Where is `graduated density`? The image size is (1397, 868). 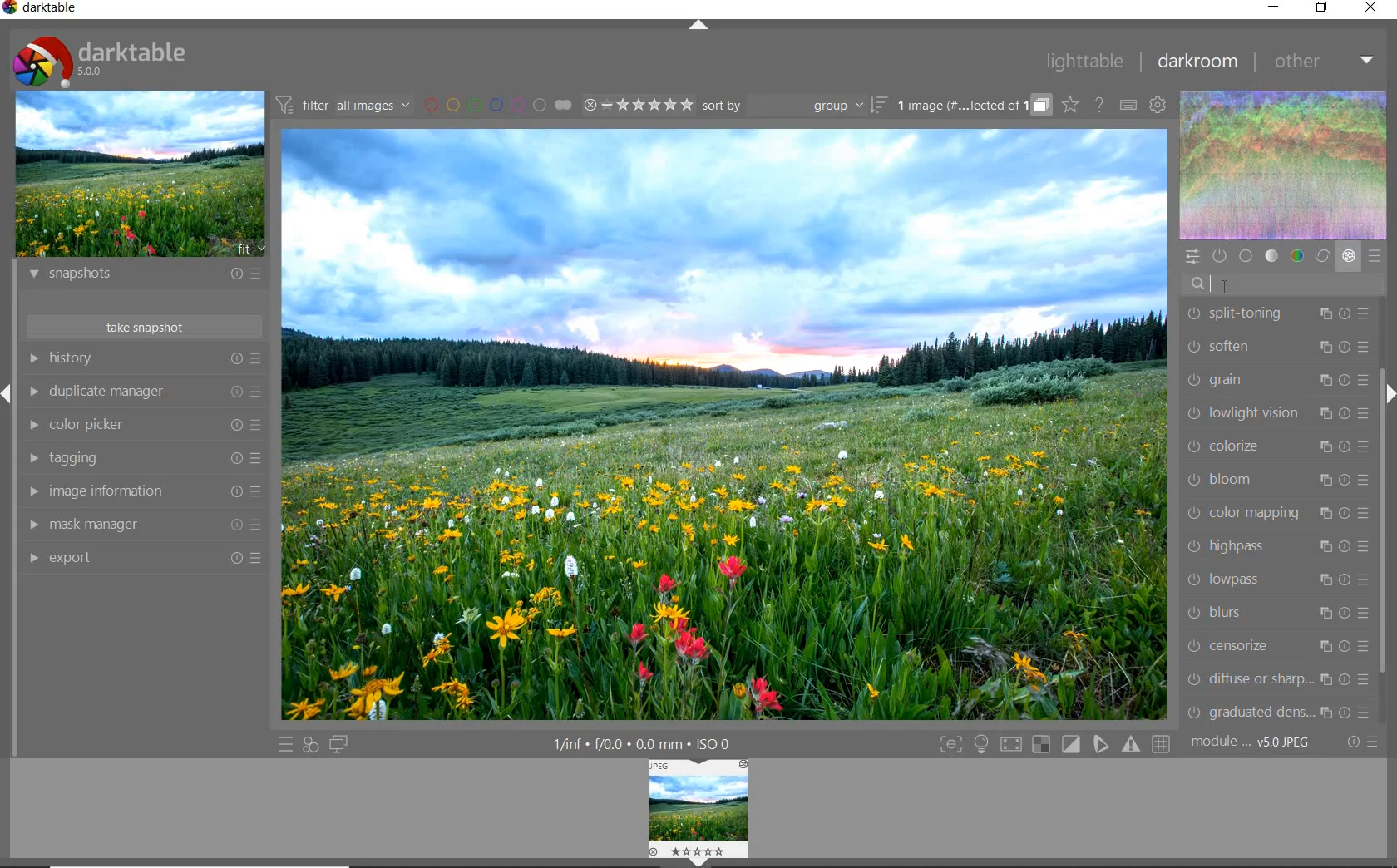
graduated density is located at coordinates (1276, 713).